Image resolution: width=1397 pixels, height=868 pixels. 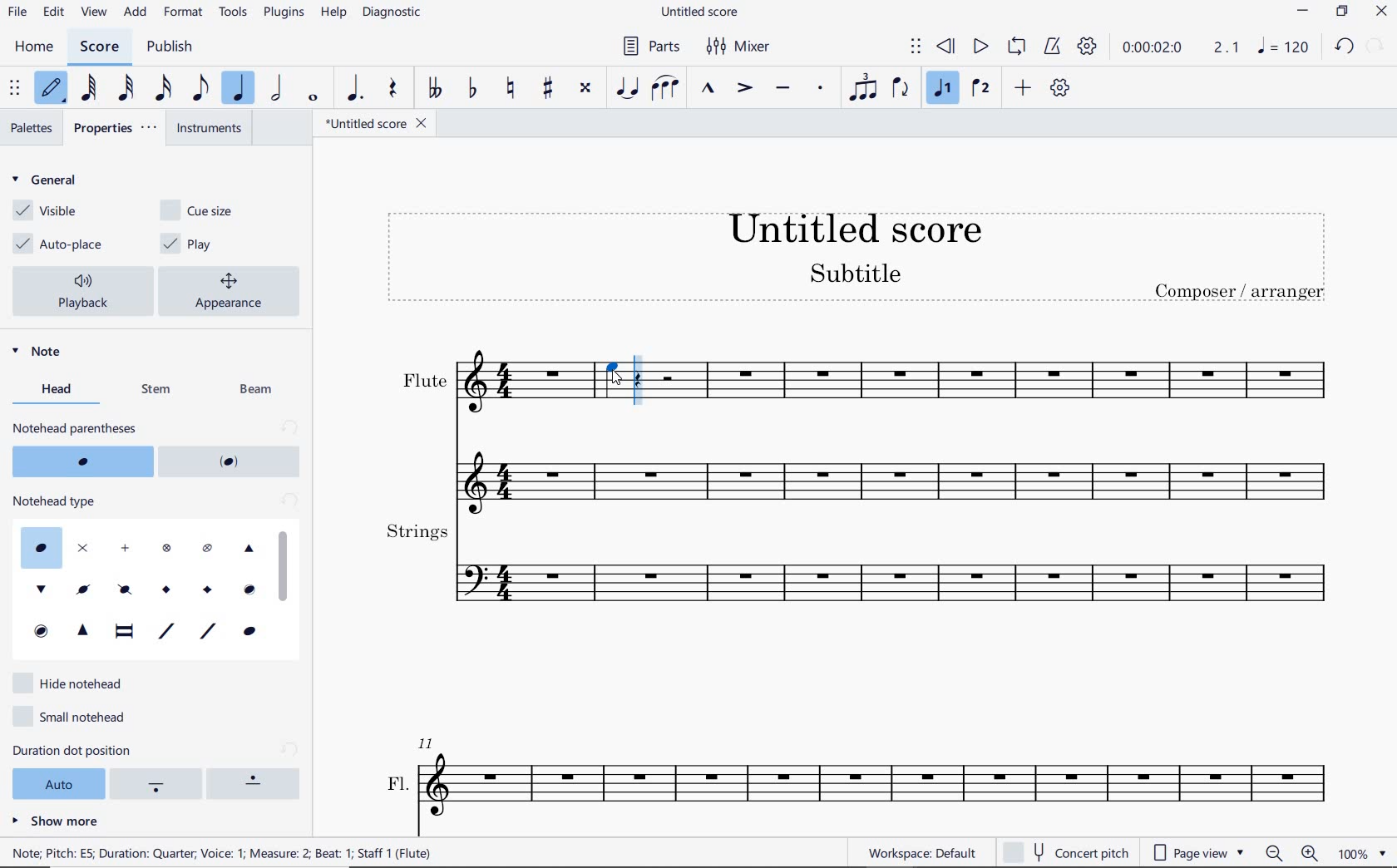 What do you see at coordinates (91, 13) in the screenshot?
I see `view` at bounding box center [91, 13].